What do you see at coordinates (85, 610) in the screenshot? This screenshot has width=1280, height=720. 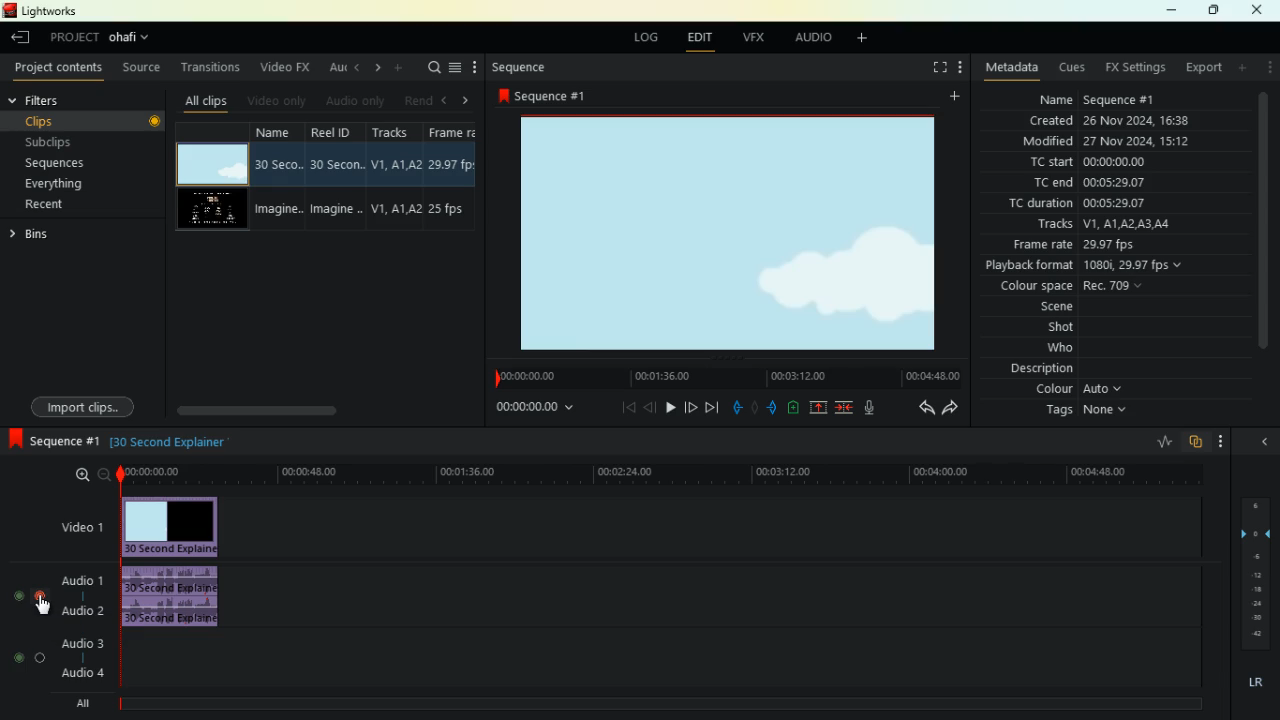 I see `audio 2` at bounding box center [85, 610].